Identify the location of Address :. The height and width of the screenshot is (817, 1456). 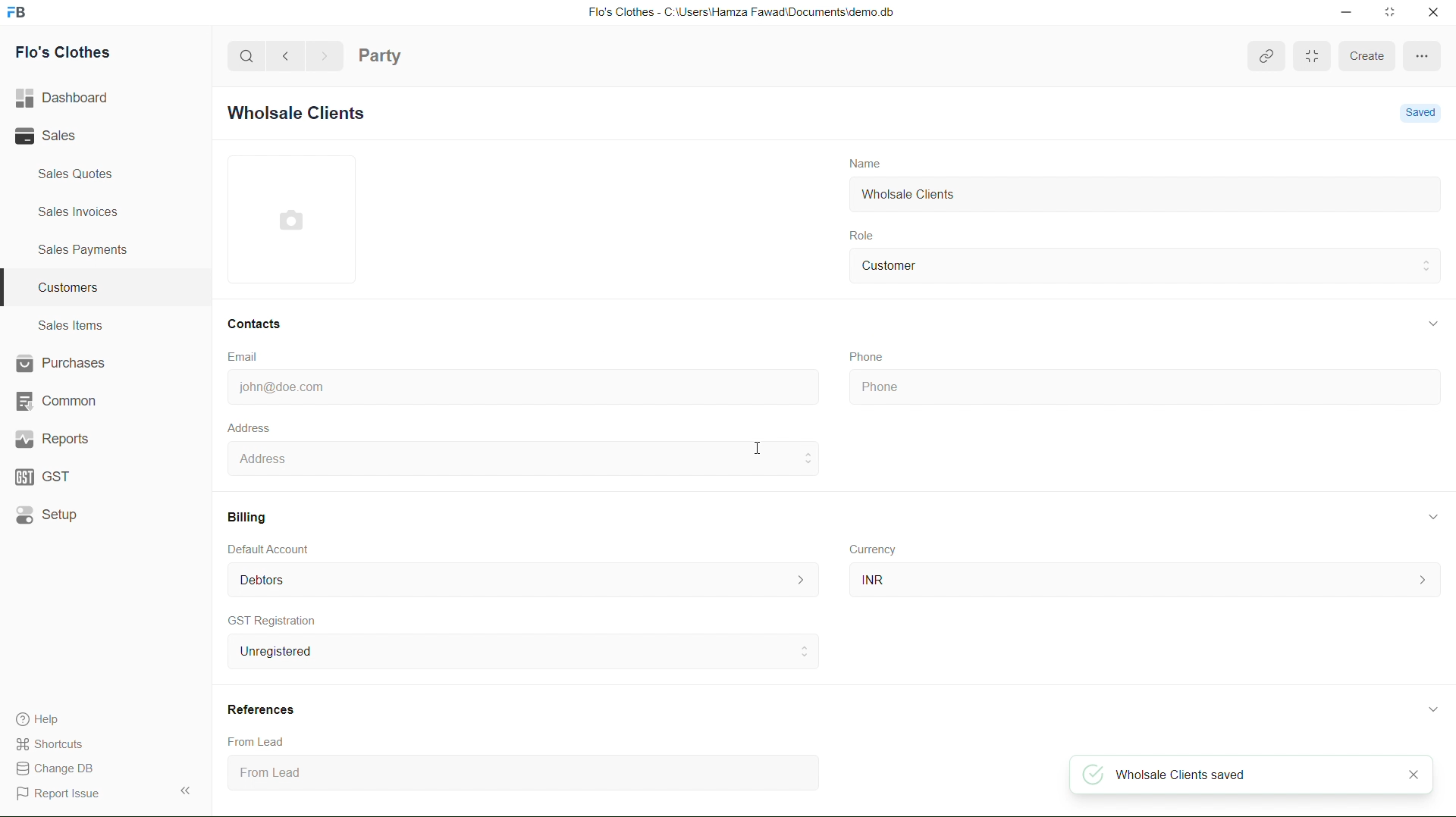
(519, 458).